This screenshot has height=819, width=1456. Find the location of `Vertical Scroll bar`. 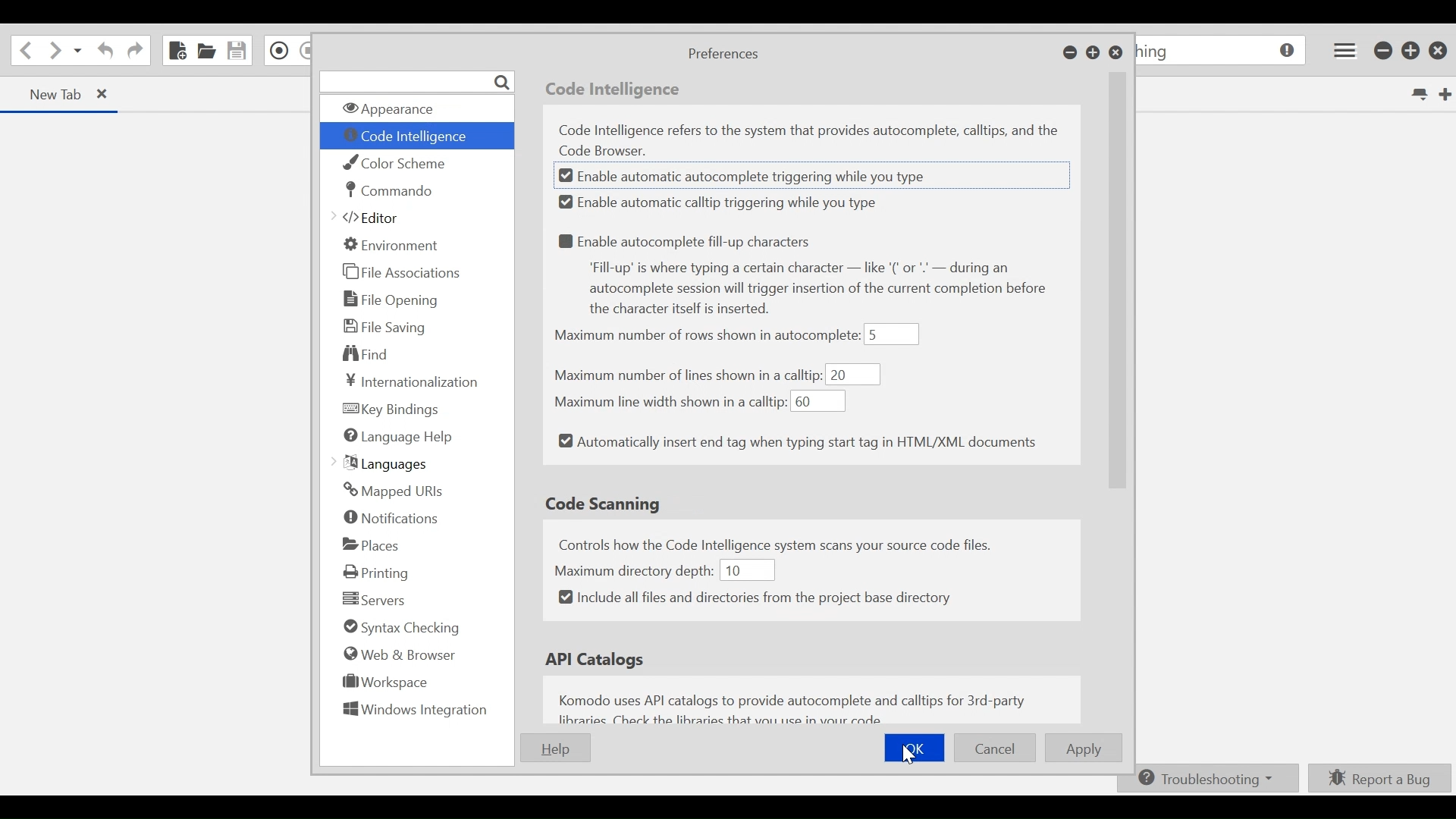

Vertical Scroll bar is located at coordinates (1119, 312).